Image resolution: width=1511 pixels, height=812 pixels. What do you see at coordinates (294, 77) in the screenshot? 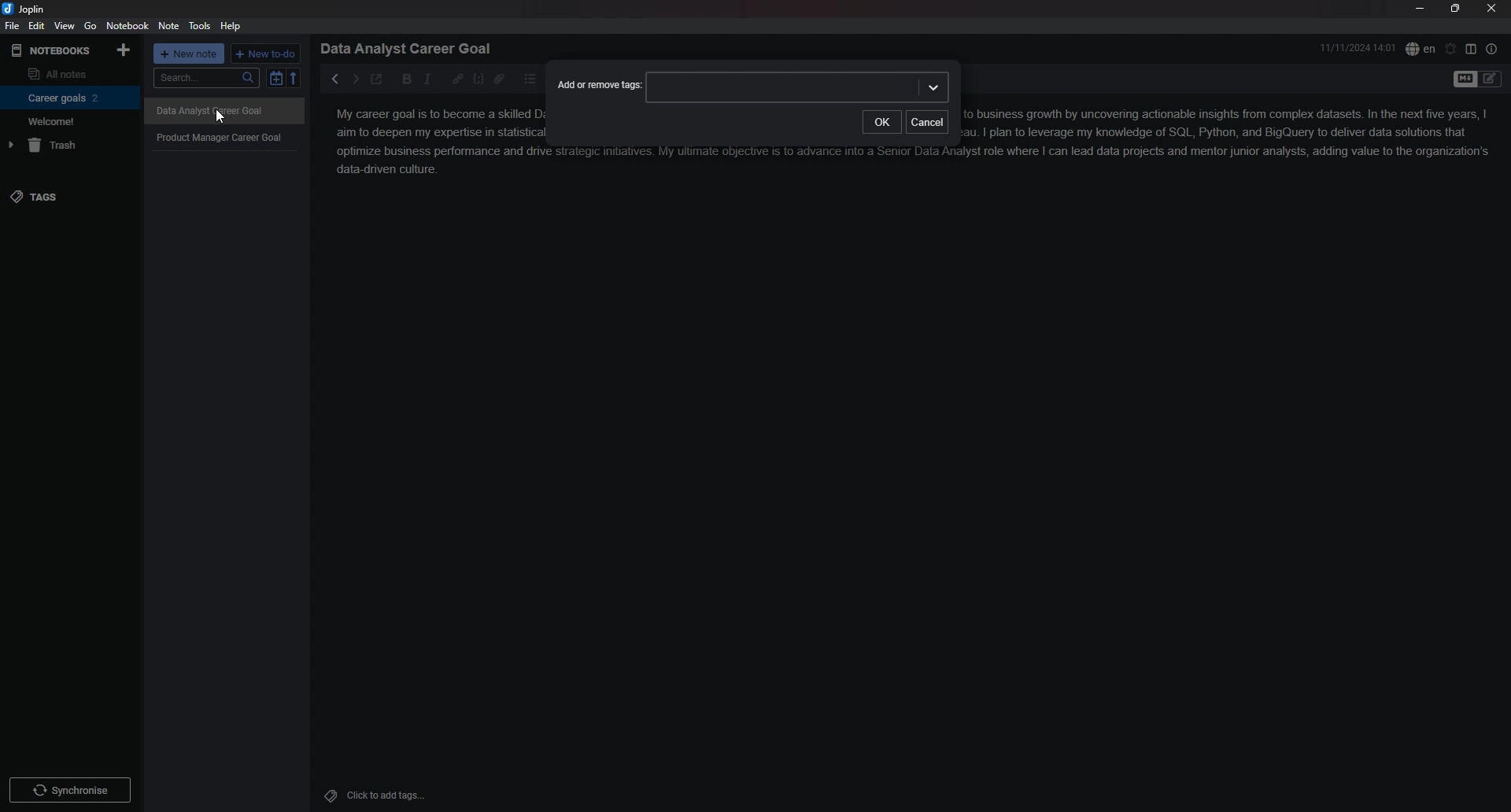
I see `reverse sort order` at bounding box center [294, 77].